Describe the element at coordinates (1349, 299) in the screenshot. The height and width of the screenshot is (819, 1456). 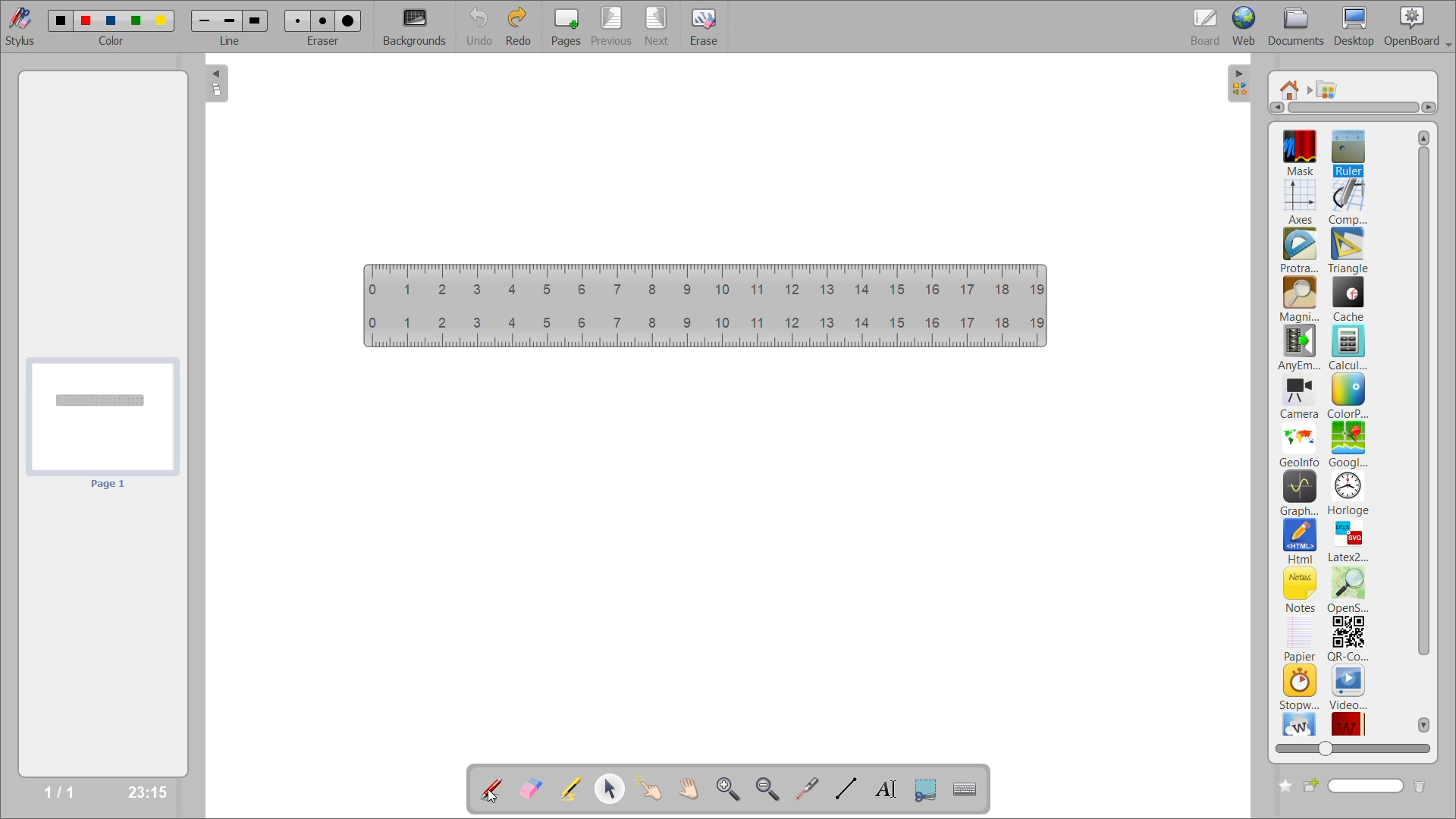
I see `cache` at that location.